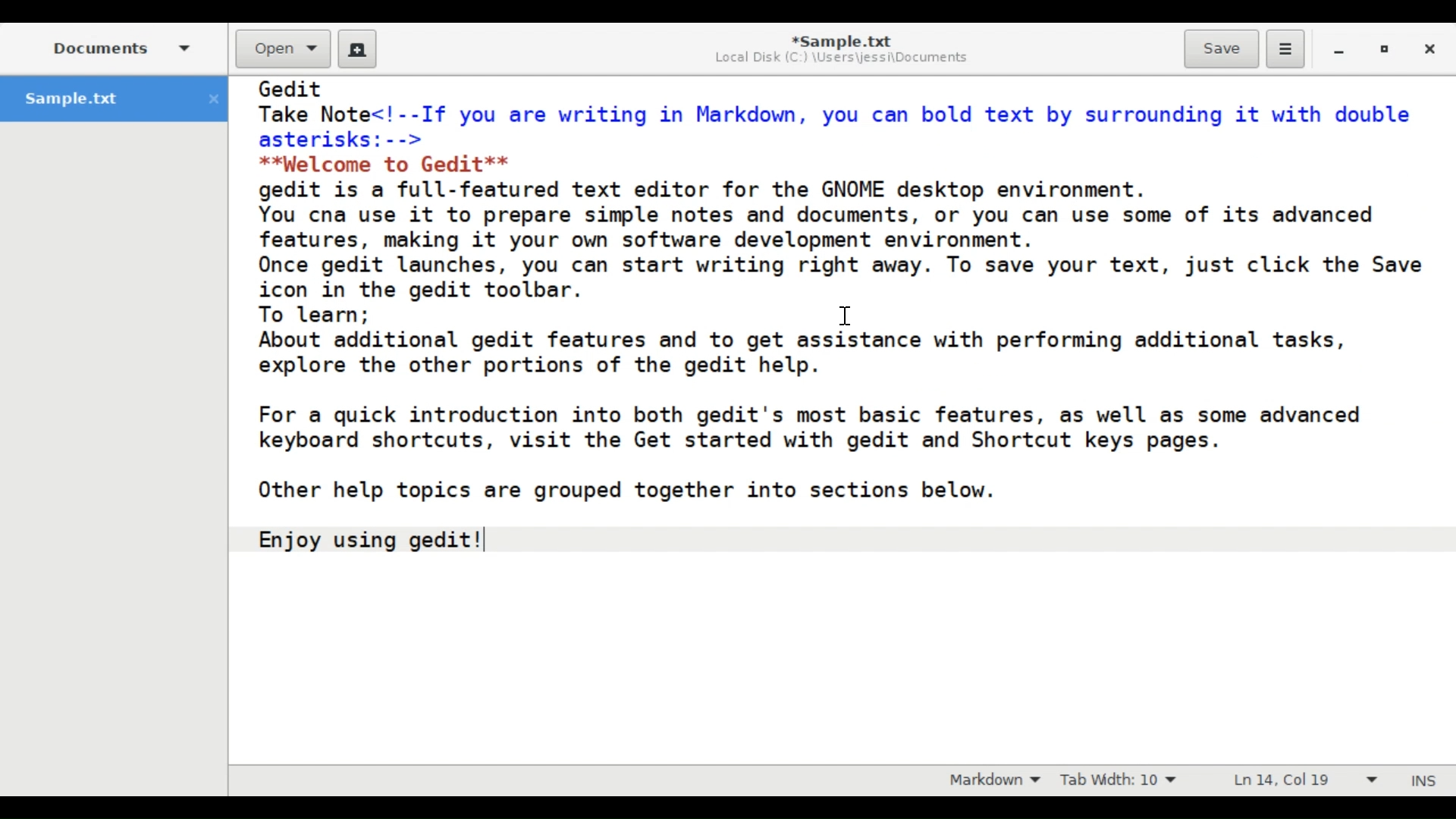  I want to click on Close, so click(1432, 50).